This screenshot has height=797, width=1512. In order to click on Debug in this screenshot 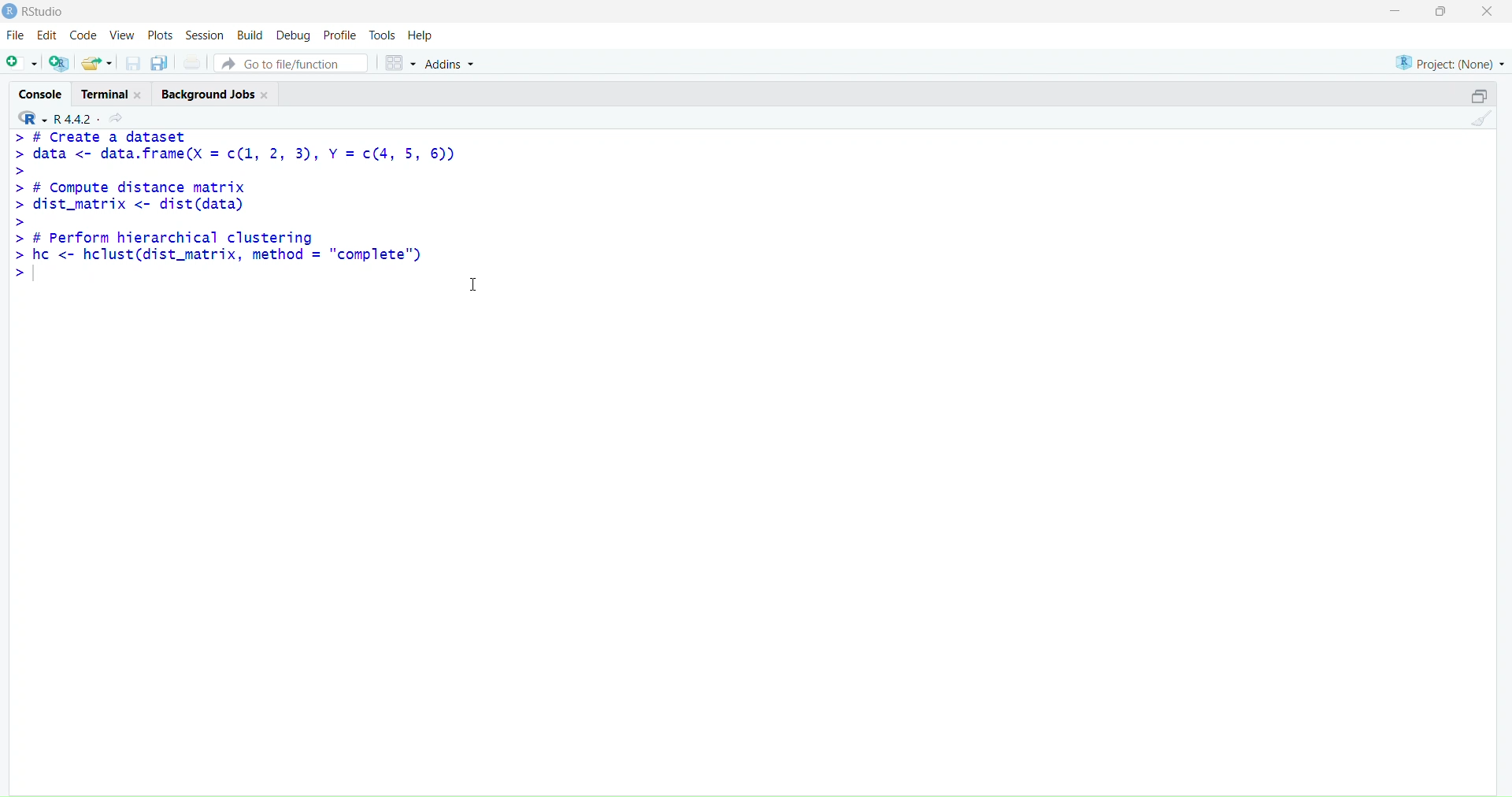, I will do `click(292, 35)`.